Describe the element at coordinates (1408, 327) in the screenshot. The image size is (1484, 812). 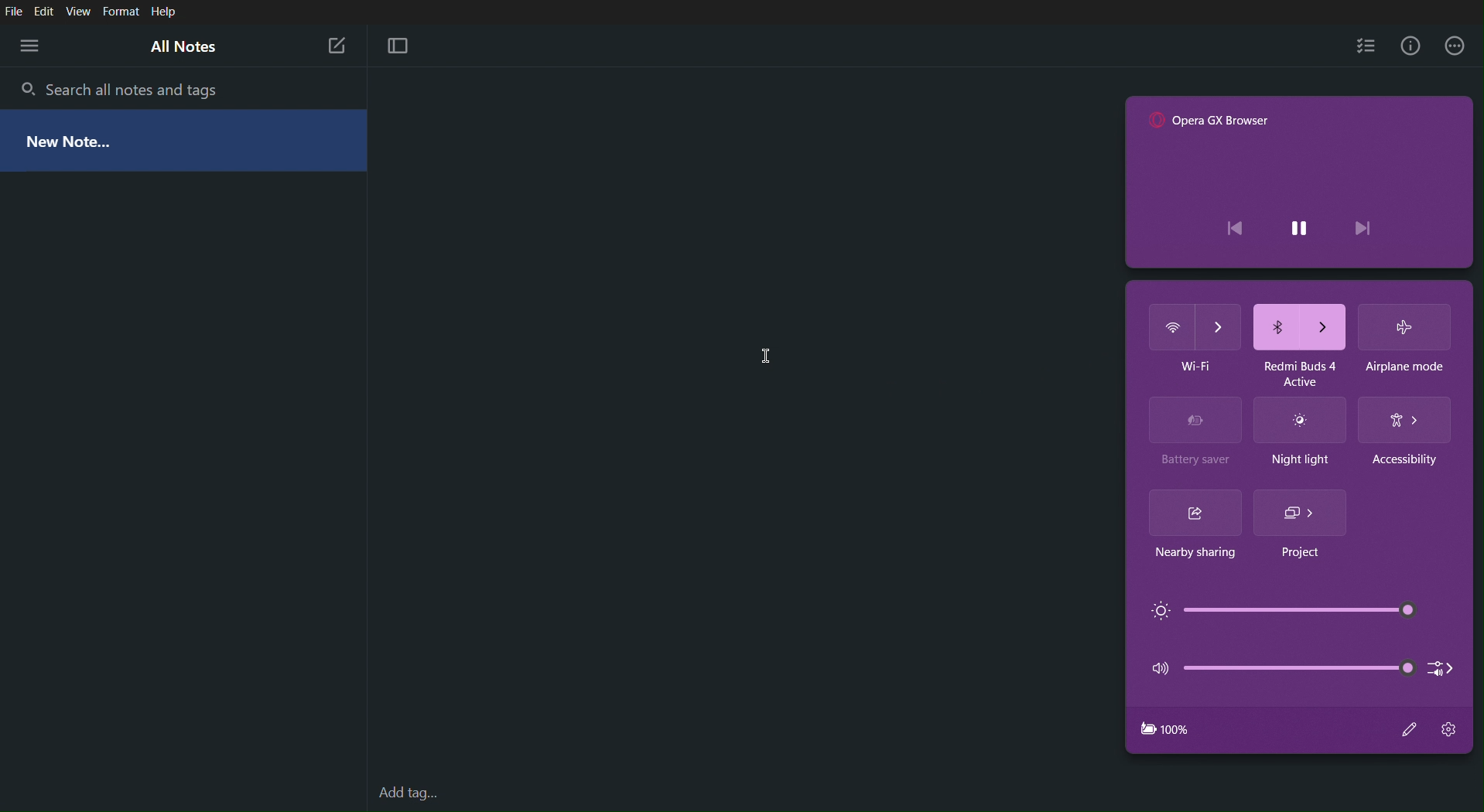
I see `Airplane Mode` at that location.